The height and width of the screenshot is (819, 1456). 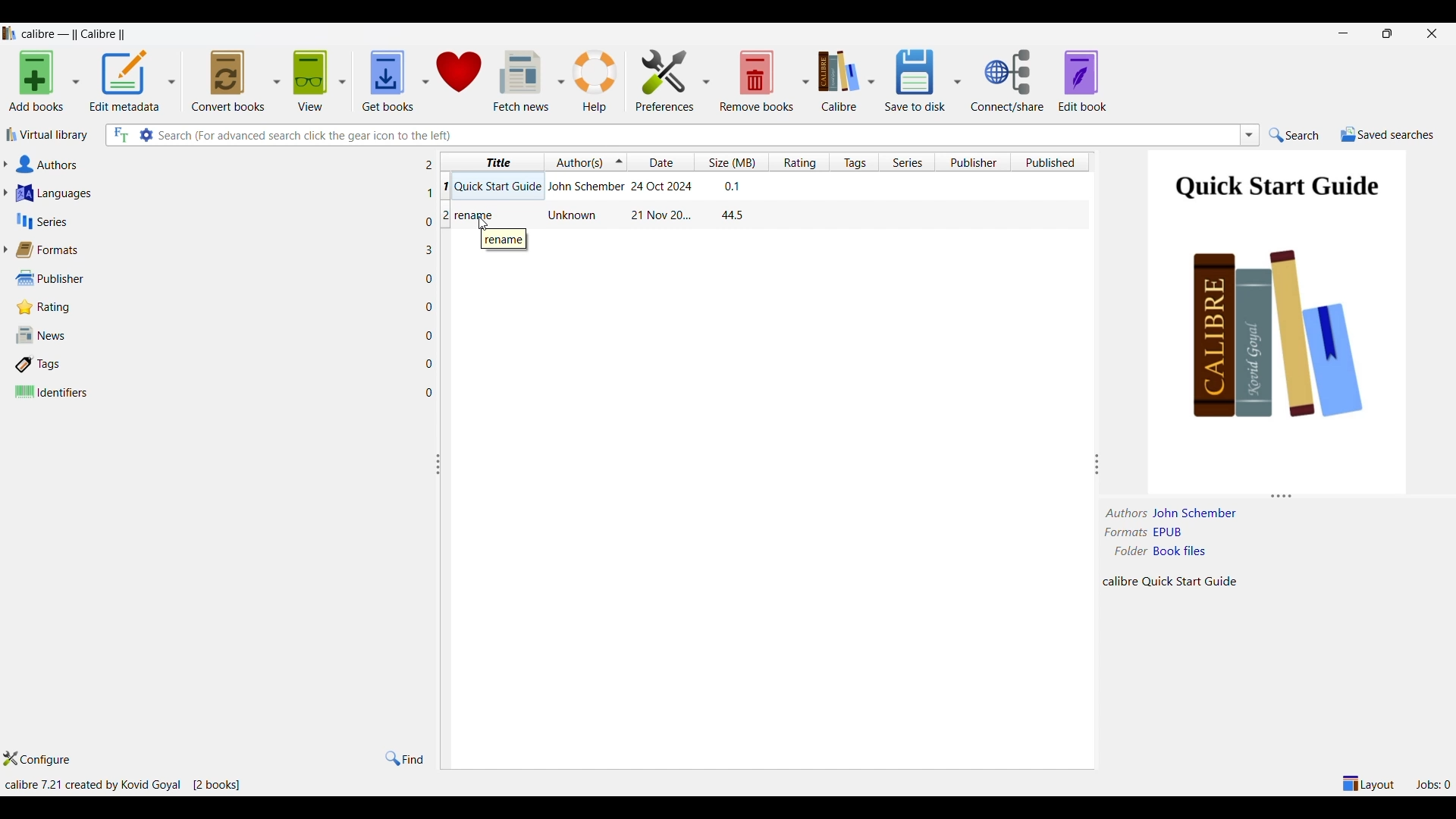 I want to click on Convert books, so click(x=227, y=80).